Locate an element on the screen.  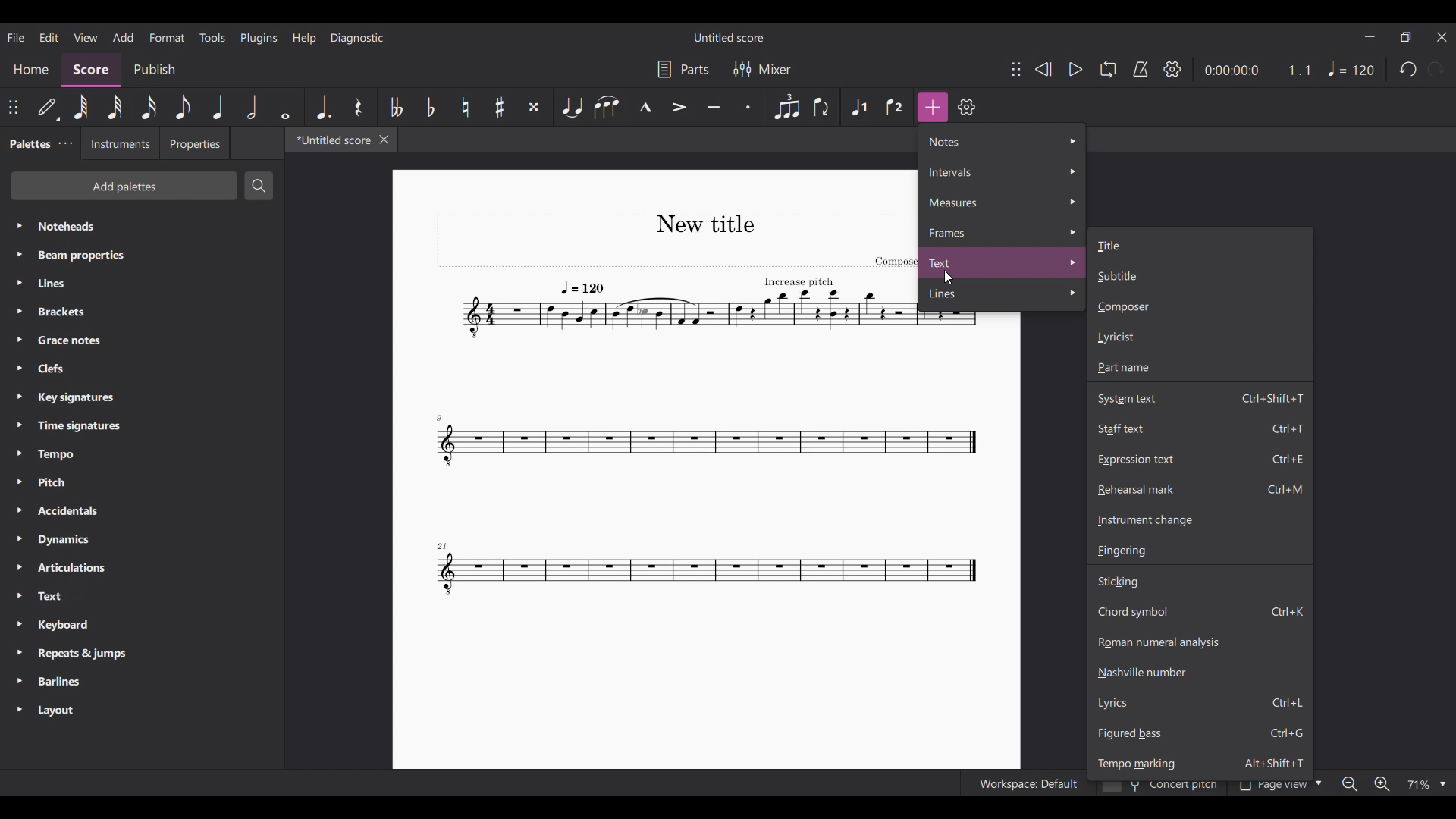
Pitch is located at coordinates (142, 482).